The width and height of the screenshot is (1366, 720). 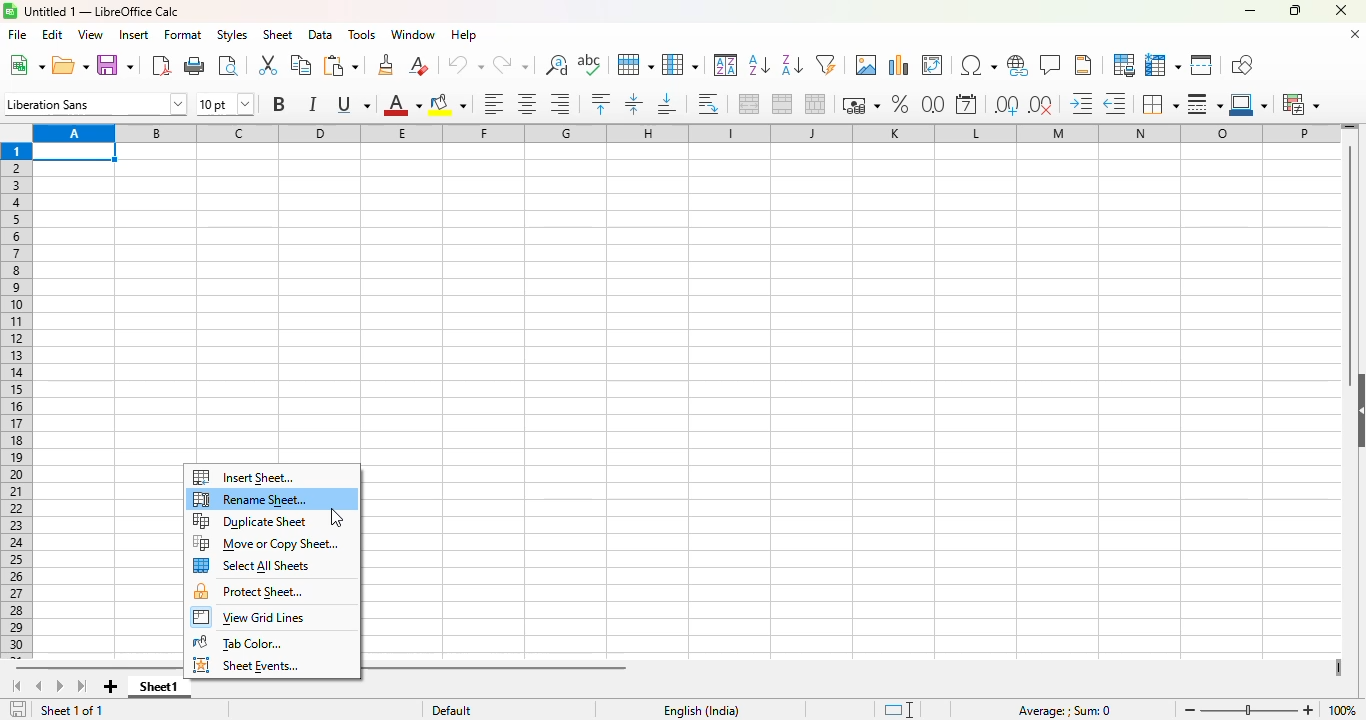 I want to click on window, so click(x=412, y=35).